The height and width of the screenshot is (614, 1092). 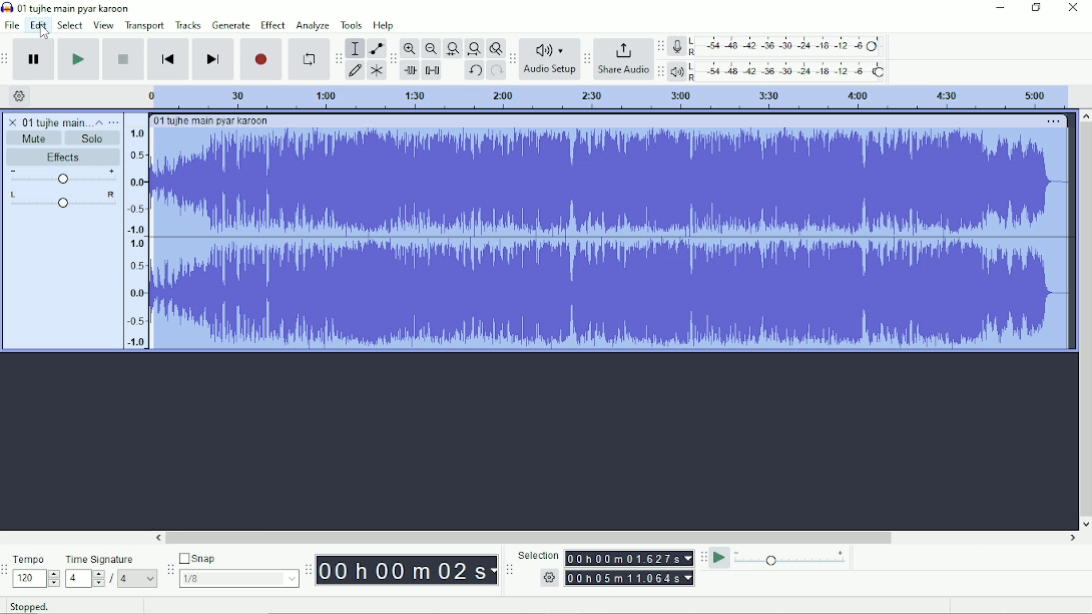 What do you see at coordinates (99, 122) in the screenshot?
I see `Collapse` at bounding box center [99, 122].